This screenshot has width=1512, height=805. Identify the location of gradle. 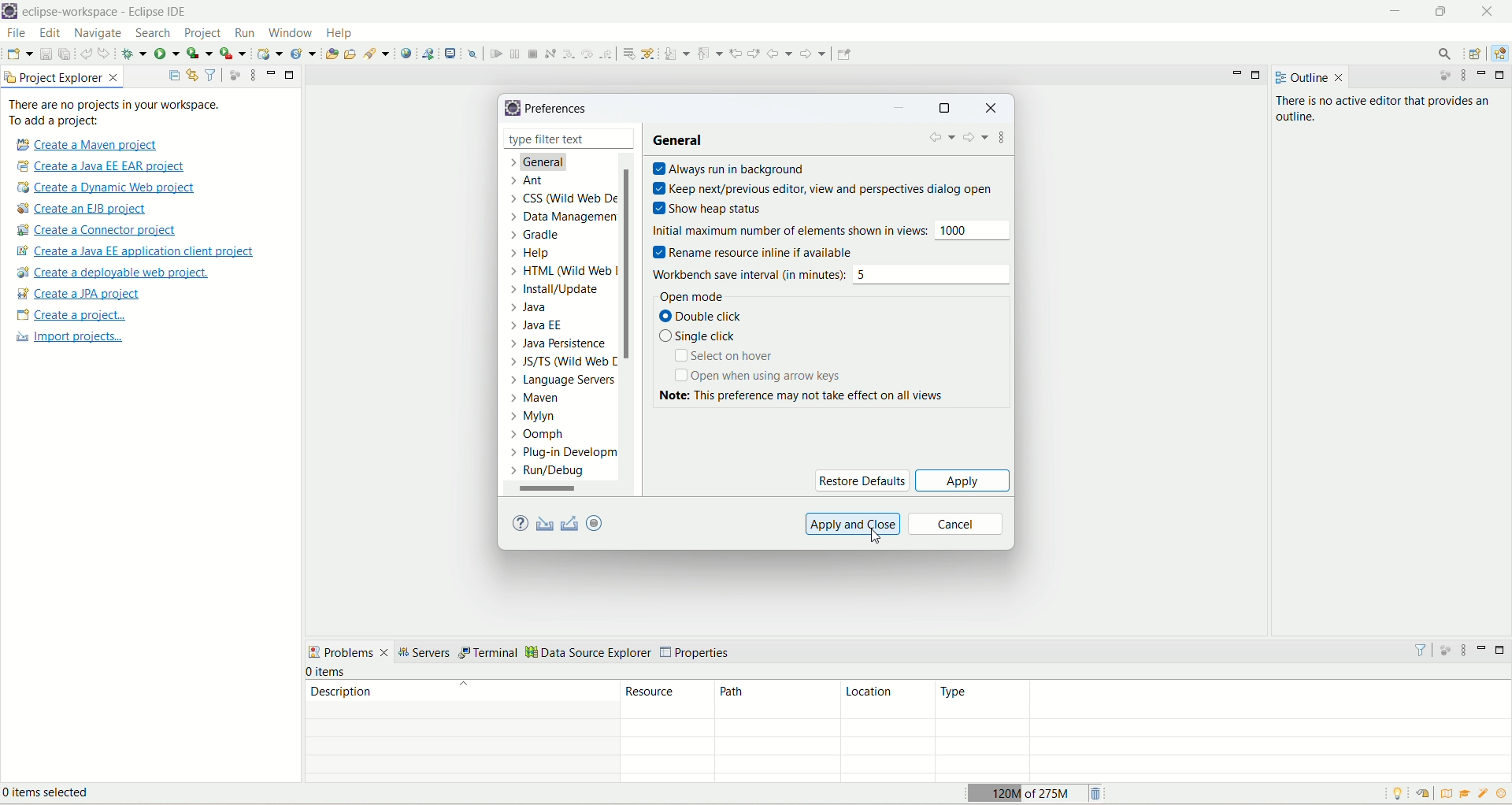
(540, 237).